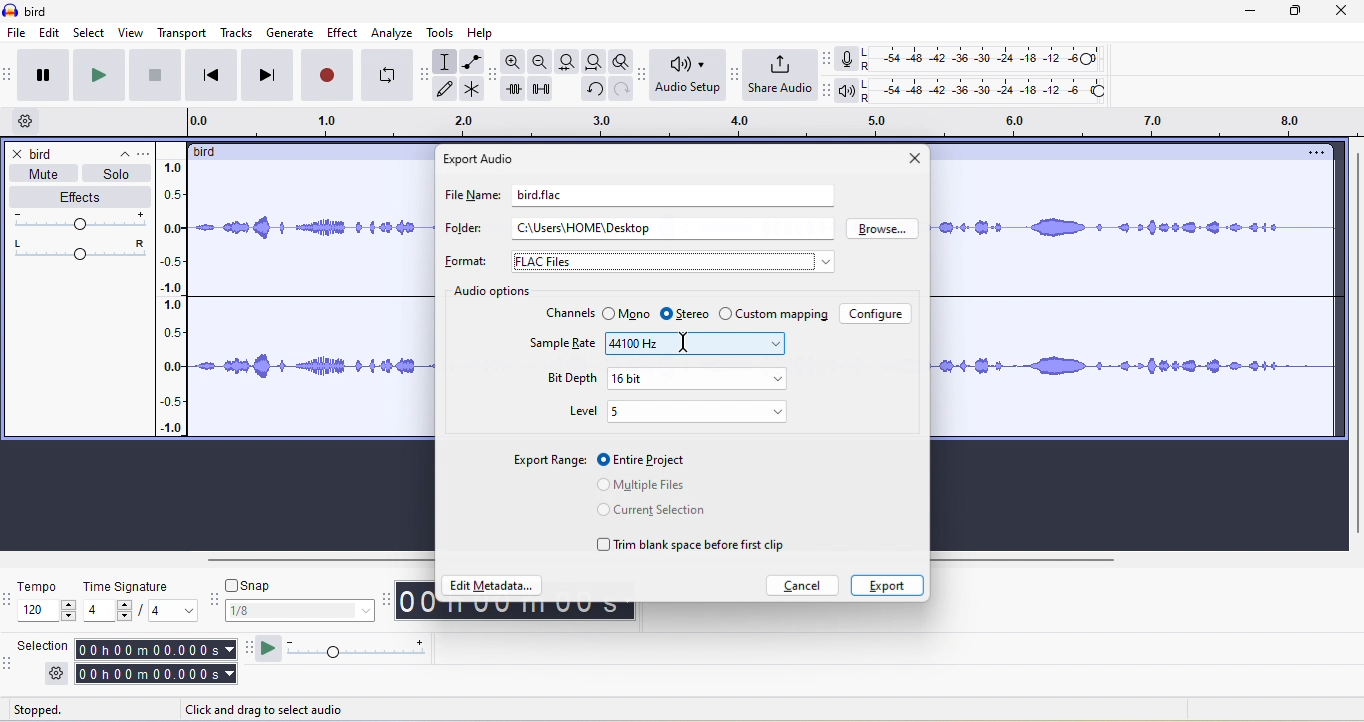 The width and height of the screenshot is (1364, 722). I want to click on undo, so click(592, 93).